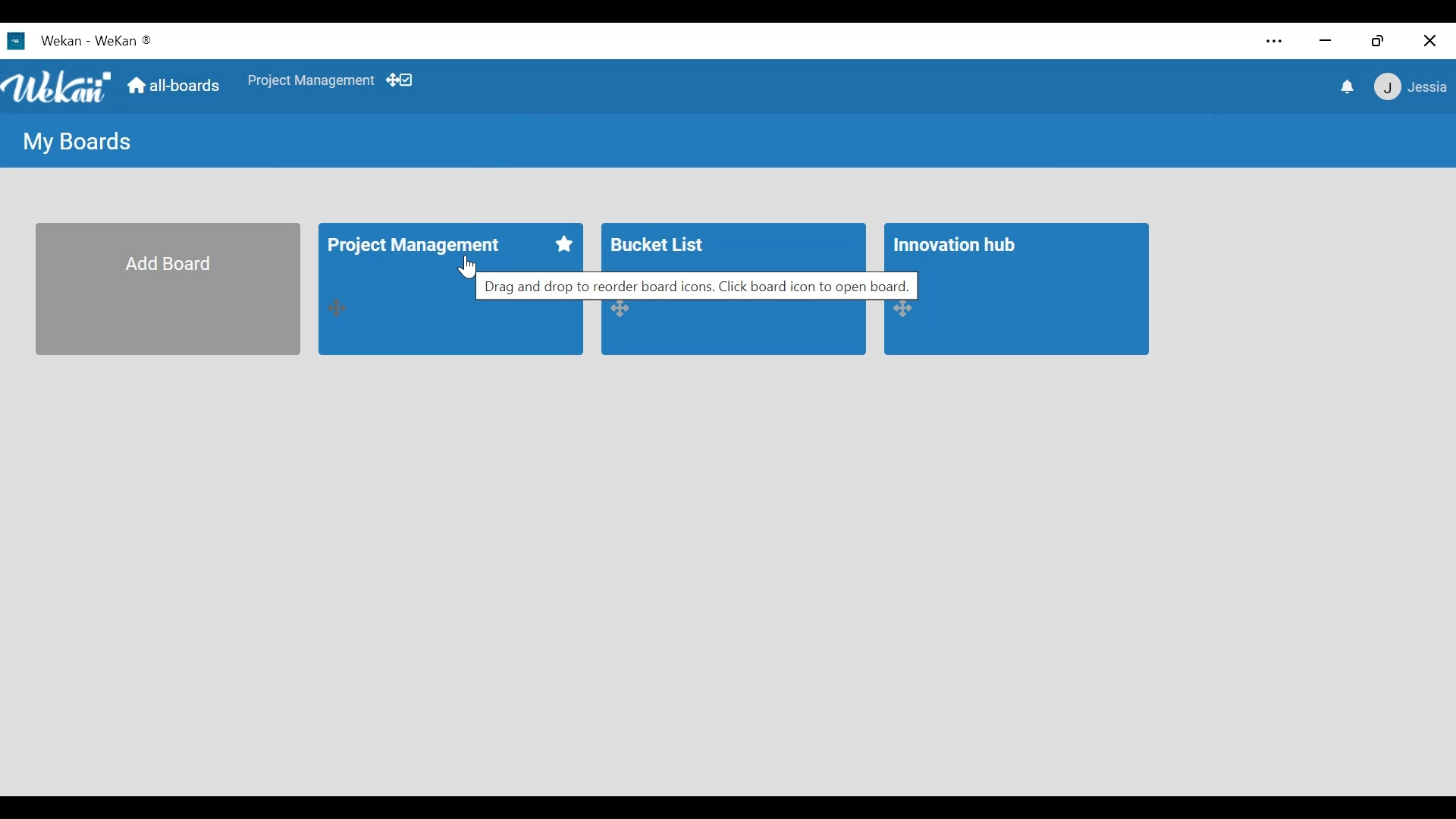 This screenshot has height=819, width=1456. Describe the element at coordinates (124, 40) in the screenshot. I see `Wekan` at that location.